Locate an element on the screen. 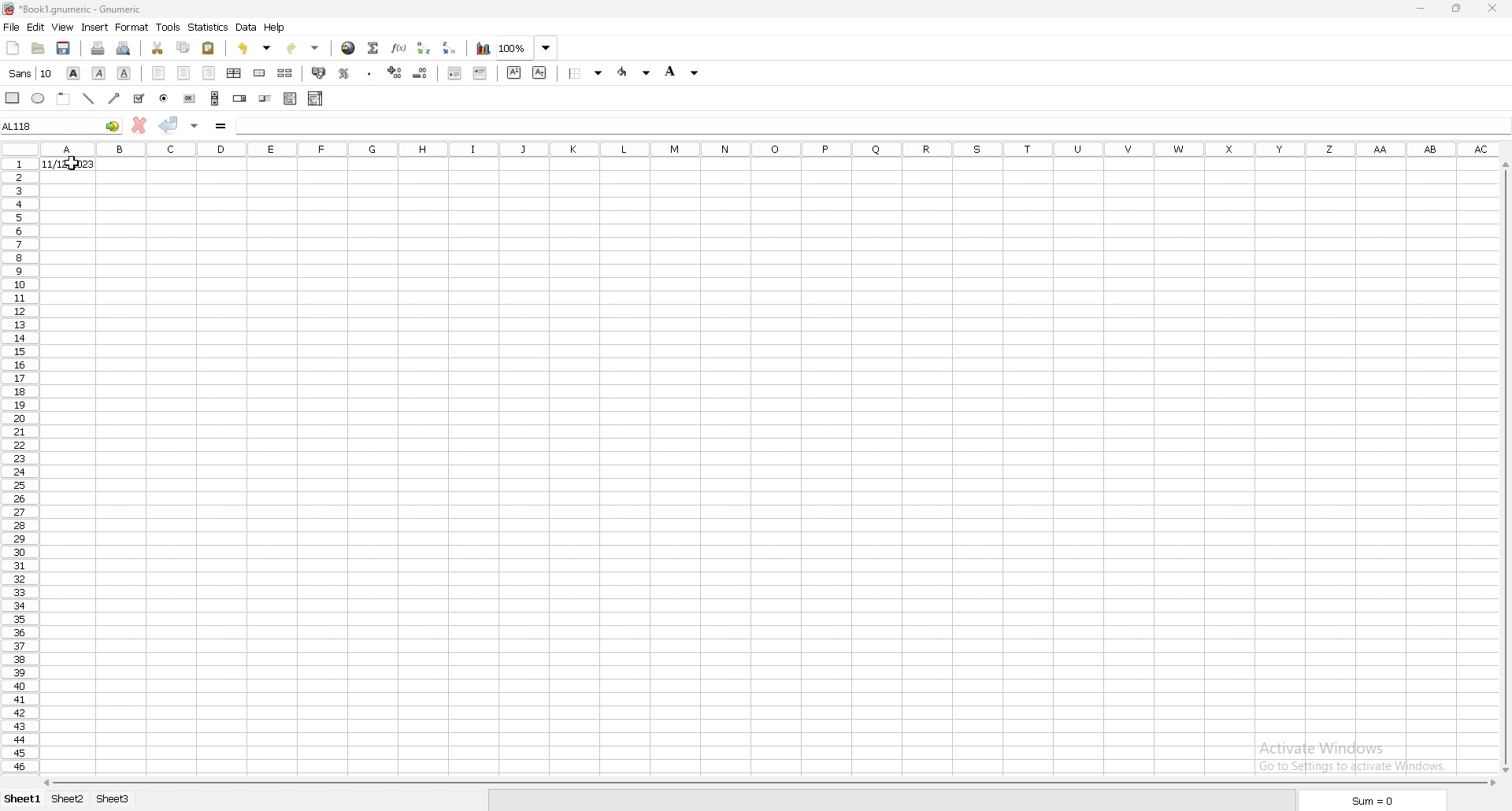 This screenshot has width=1512, height=811. cancel changes is located at coordinates (139, 125).